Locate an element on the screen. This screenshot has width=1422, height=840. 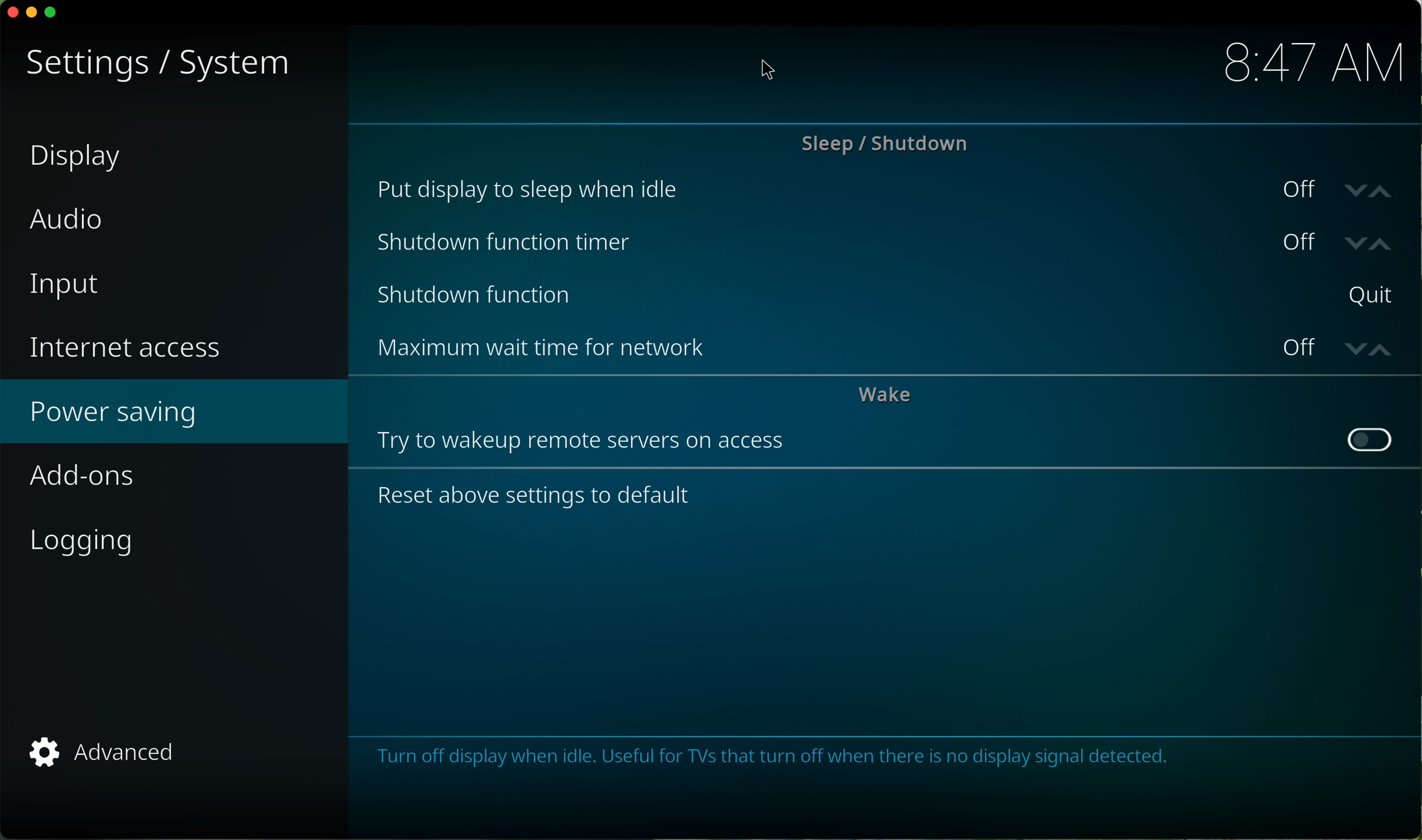
add-ons is located at coordinates (91, 479).